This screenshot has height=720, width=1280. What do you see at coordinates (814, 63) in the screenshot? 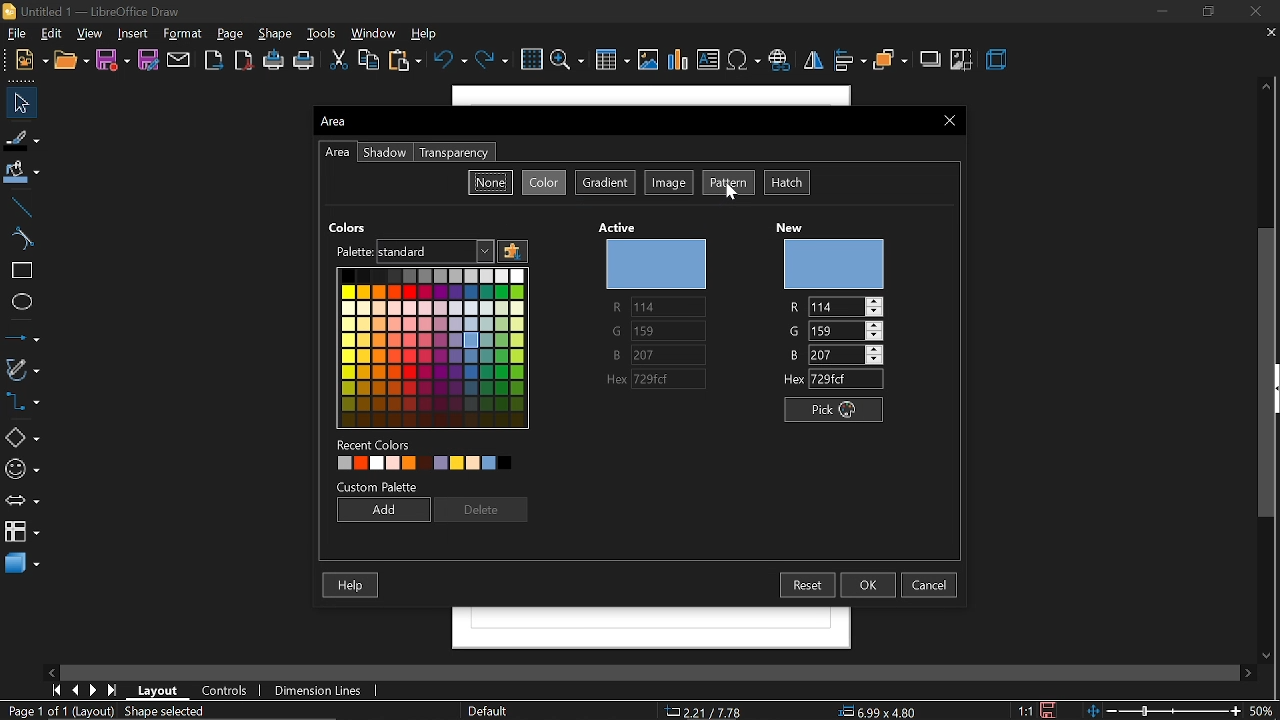
I see `flip` at bounding box center [814, 63].